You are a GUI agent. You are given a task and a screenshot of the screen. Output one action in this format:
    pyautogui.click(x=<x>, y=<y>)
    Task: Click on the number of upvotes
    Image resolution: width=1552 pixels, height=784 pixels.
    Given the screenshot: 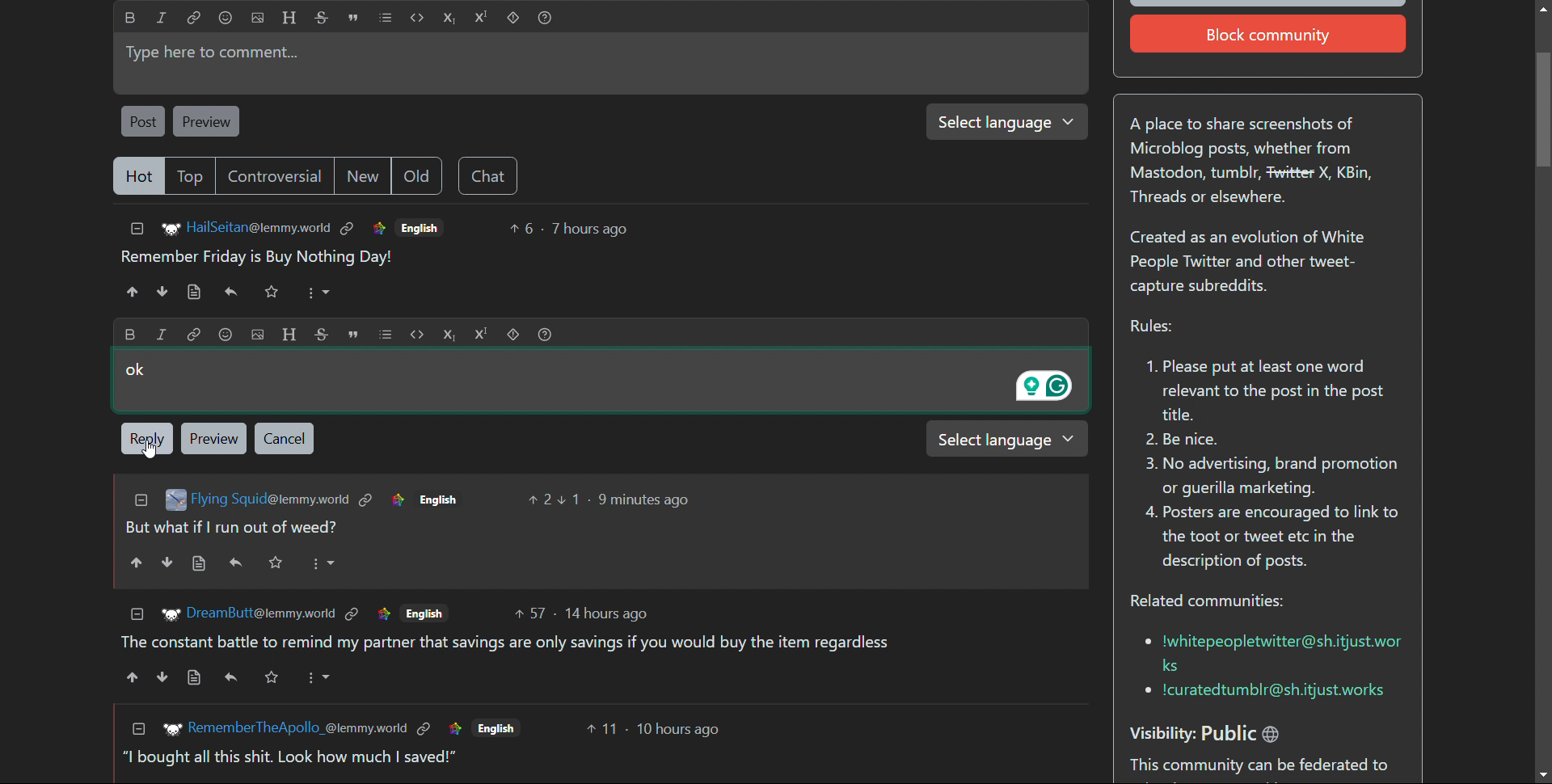 What is the action you would take?
    pyautogui.click(x=598, y=734)
    